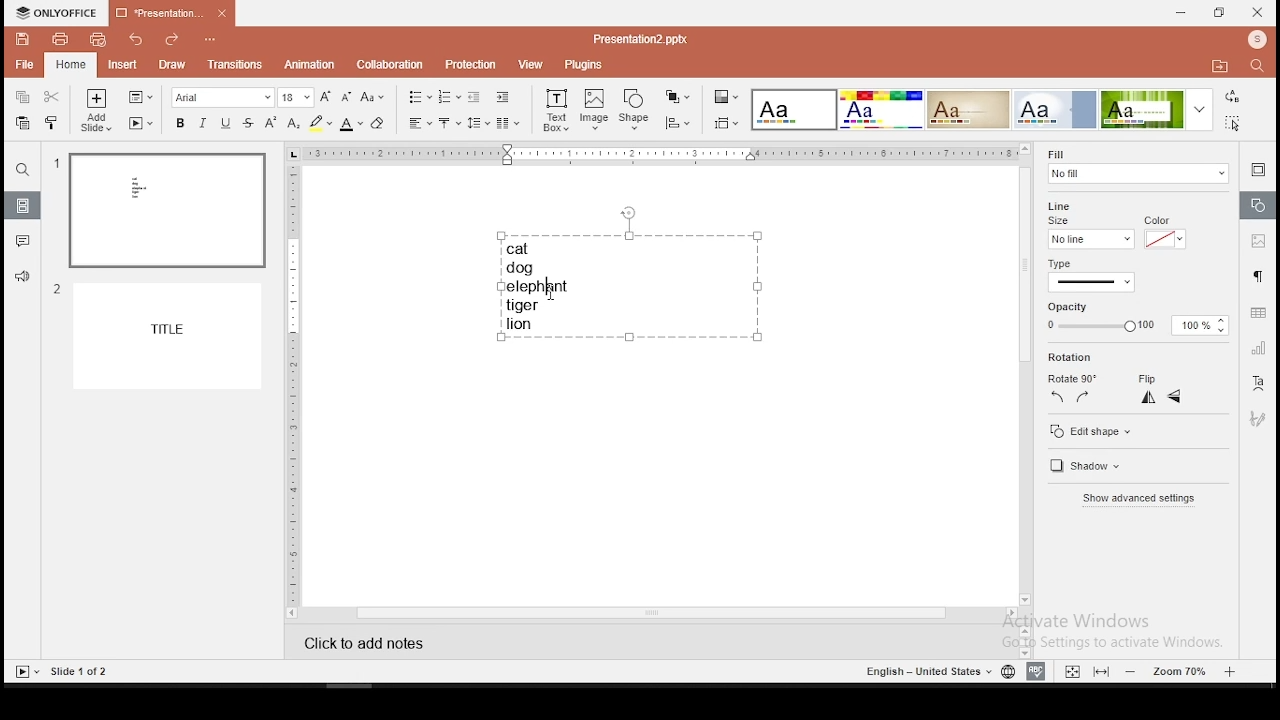  Describe the element at coordinates (350, 123) in the screenshot. I see `font color` at that location.